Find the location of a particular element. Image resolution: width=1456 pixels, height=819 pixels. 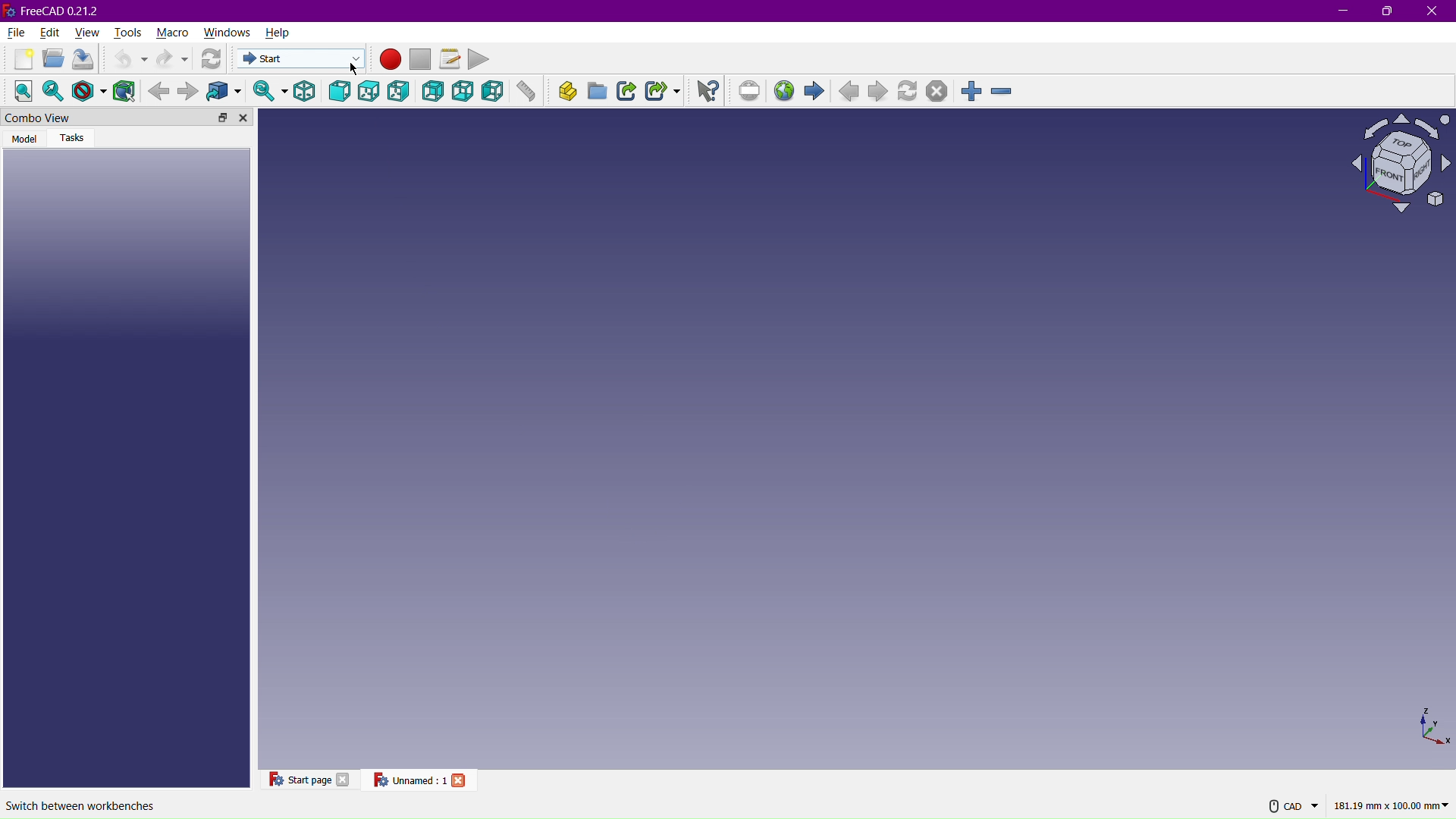

Play macro is located at coordinates (482, 59).